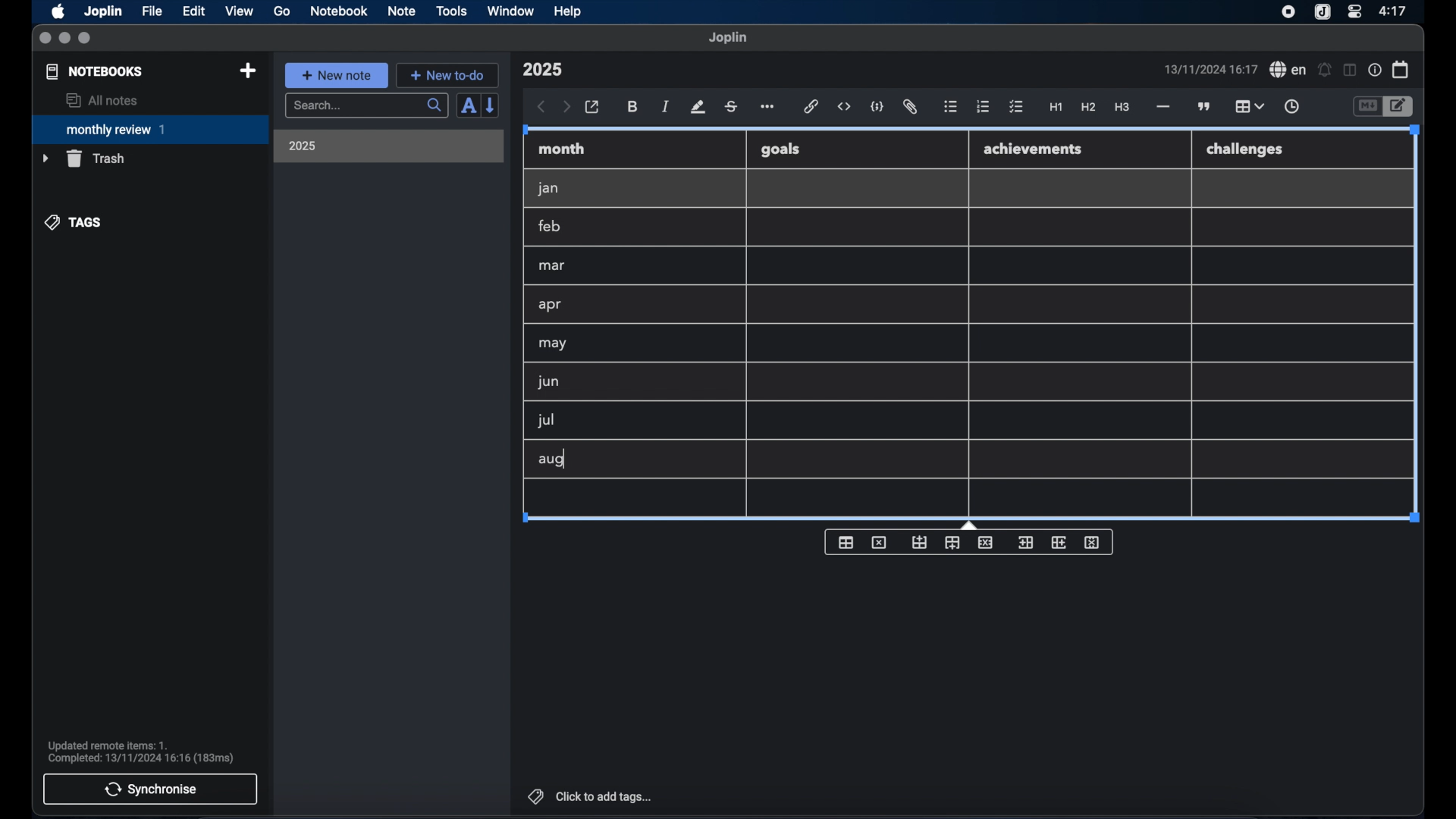 The height and width of the screenshot is (819, 1456). What do you see at coordinates (728, 37) in the screenshot?
I see `joplin` at bounding box center [728, 37].